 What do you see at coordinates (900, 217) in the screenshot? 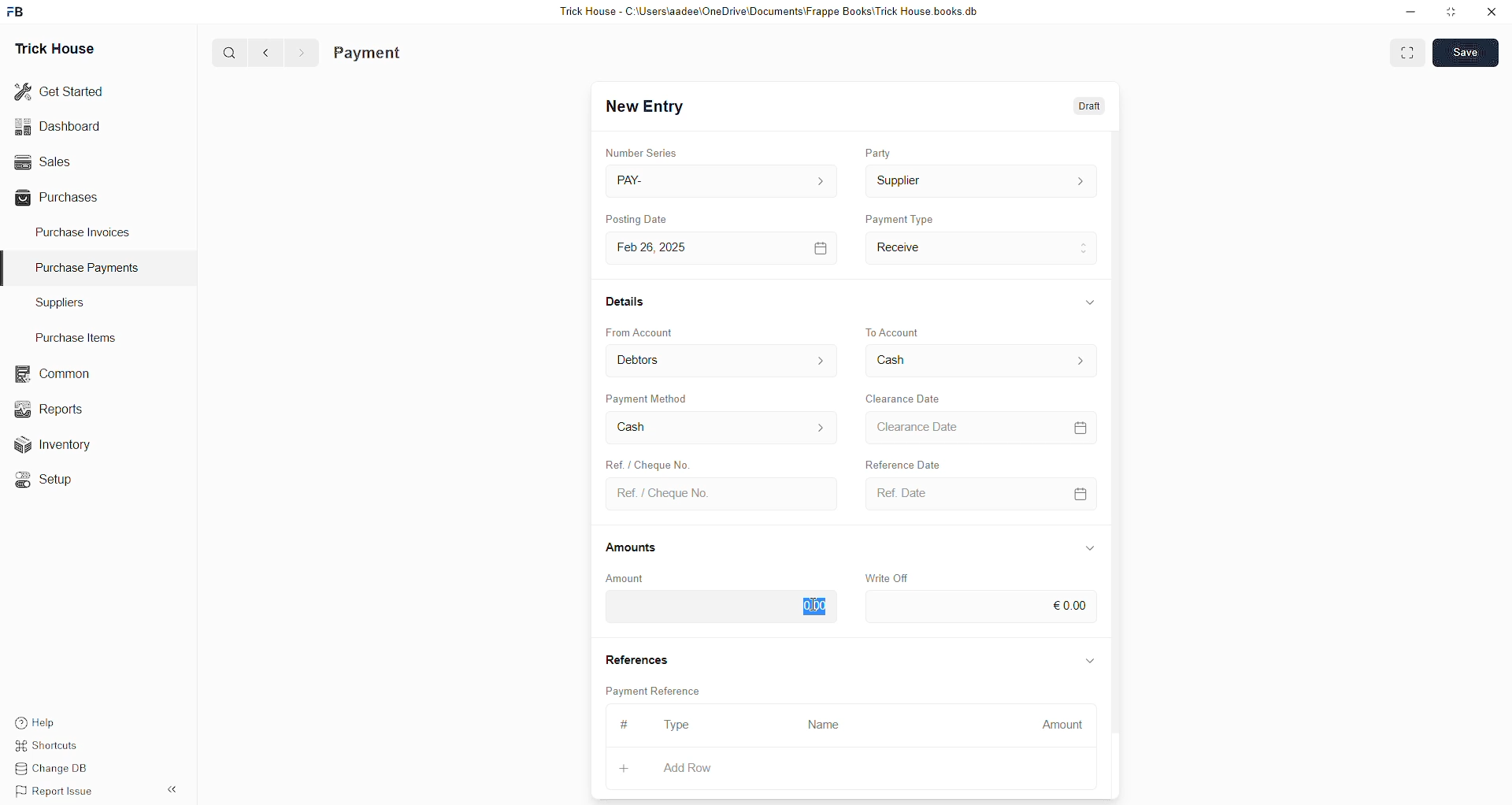
I see `Payment Type` at bounding box center [900, 217].